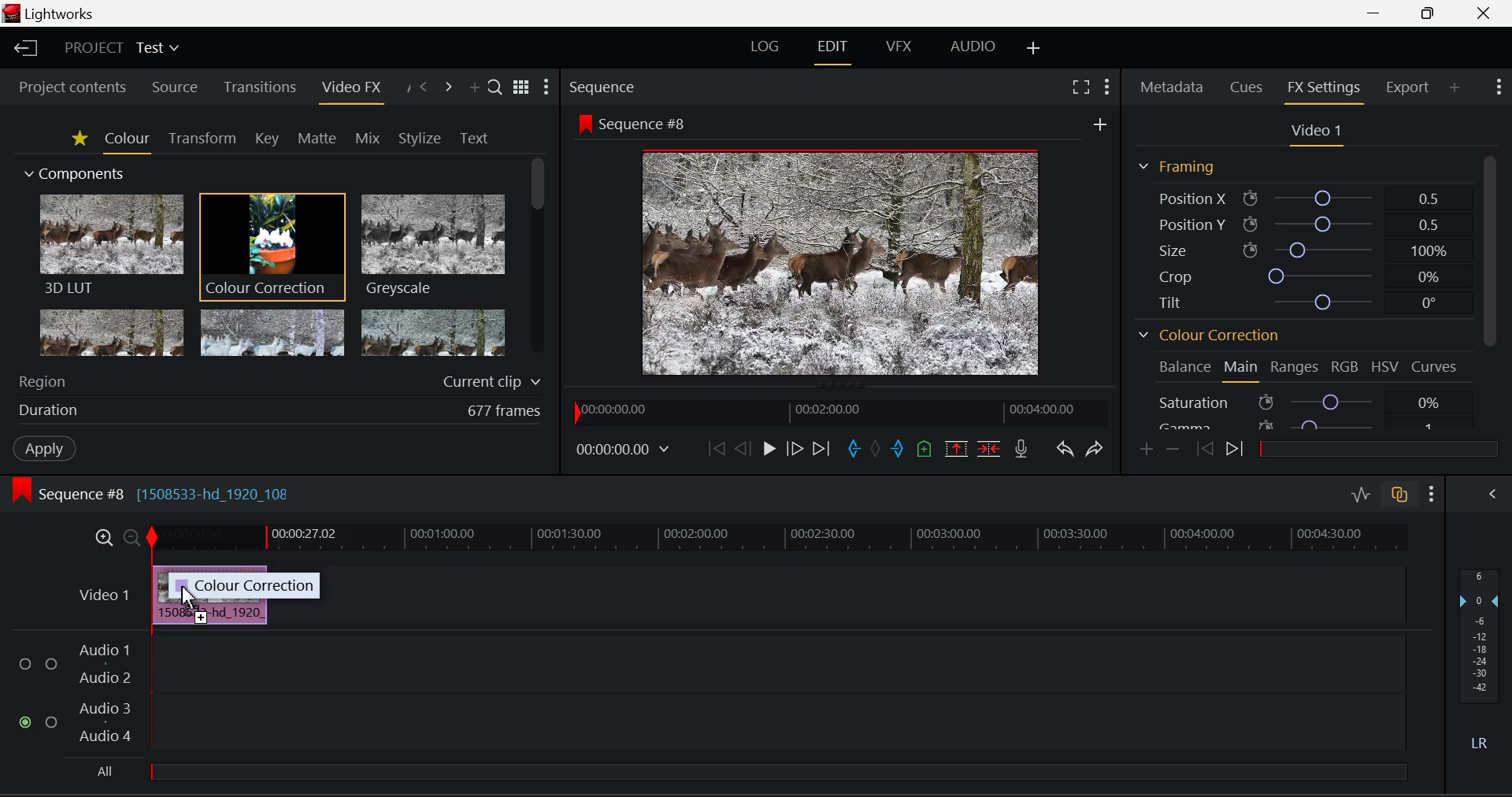 The height and width of the screenshot is (797, 1512). What do you see at coordinates (1022, 449) in the screenshot?
I see `Record Voiceover` at bounding box center [1022, 449].